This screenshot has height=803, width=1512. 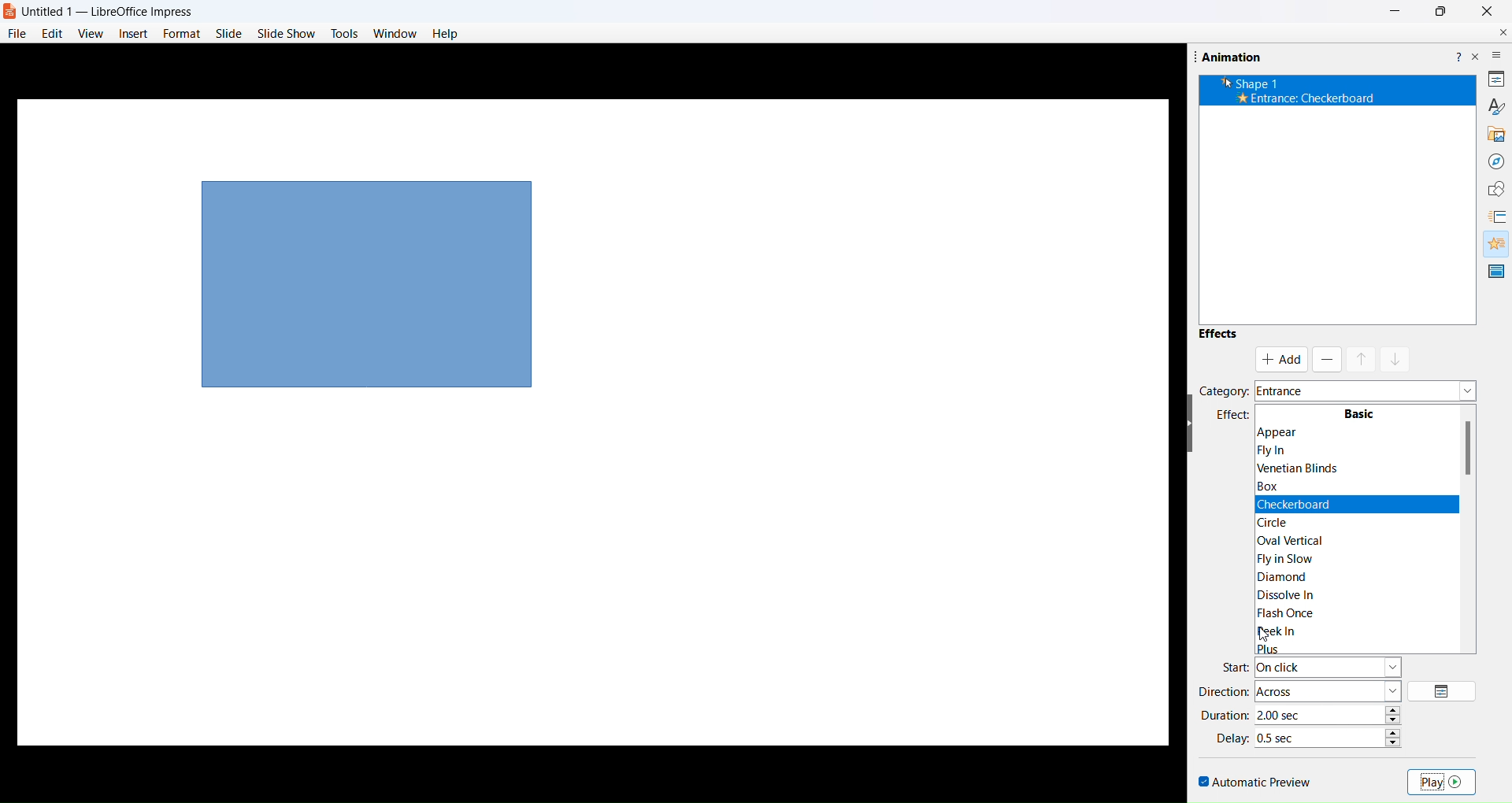 What do you see at coordinates (1329, 686) in the screenshot?
I see `across` at bounding box center [1329, 686].